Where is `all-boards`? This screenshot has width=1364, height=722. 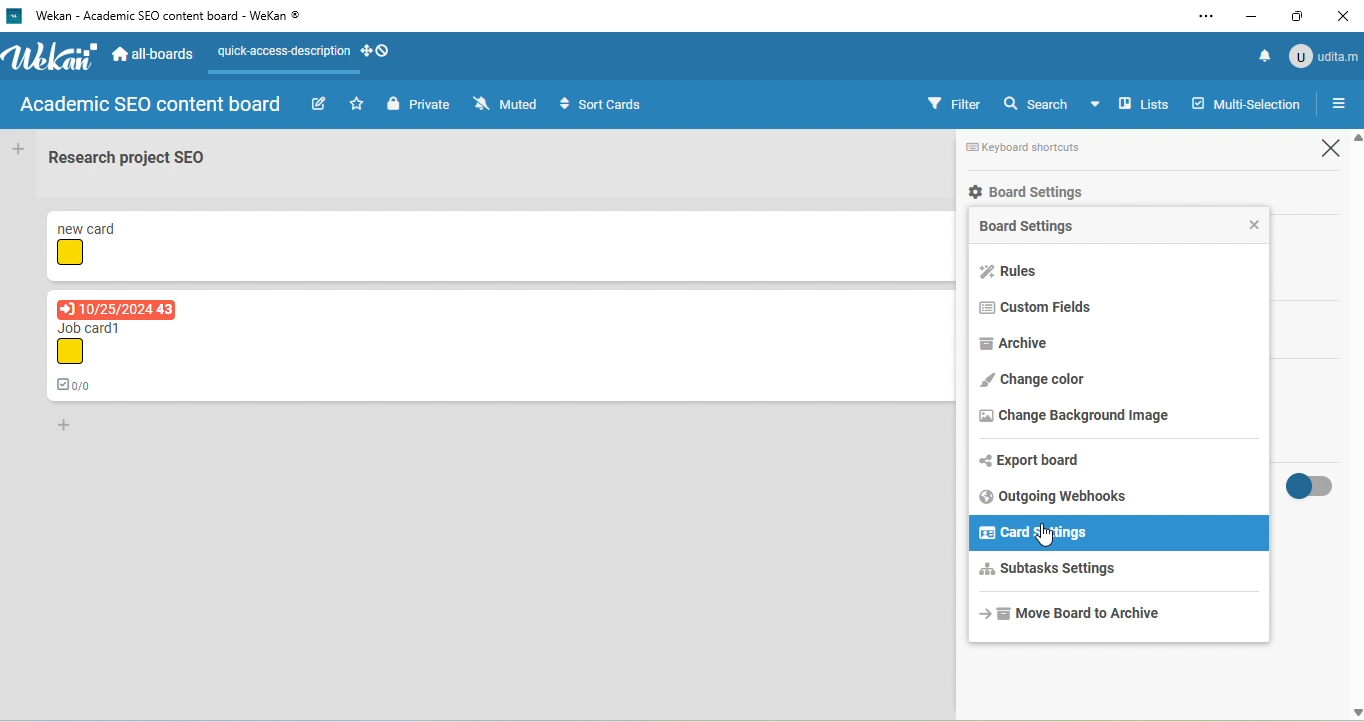 all-boards is located at coordinates (155, 52).